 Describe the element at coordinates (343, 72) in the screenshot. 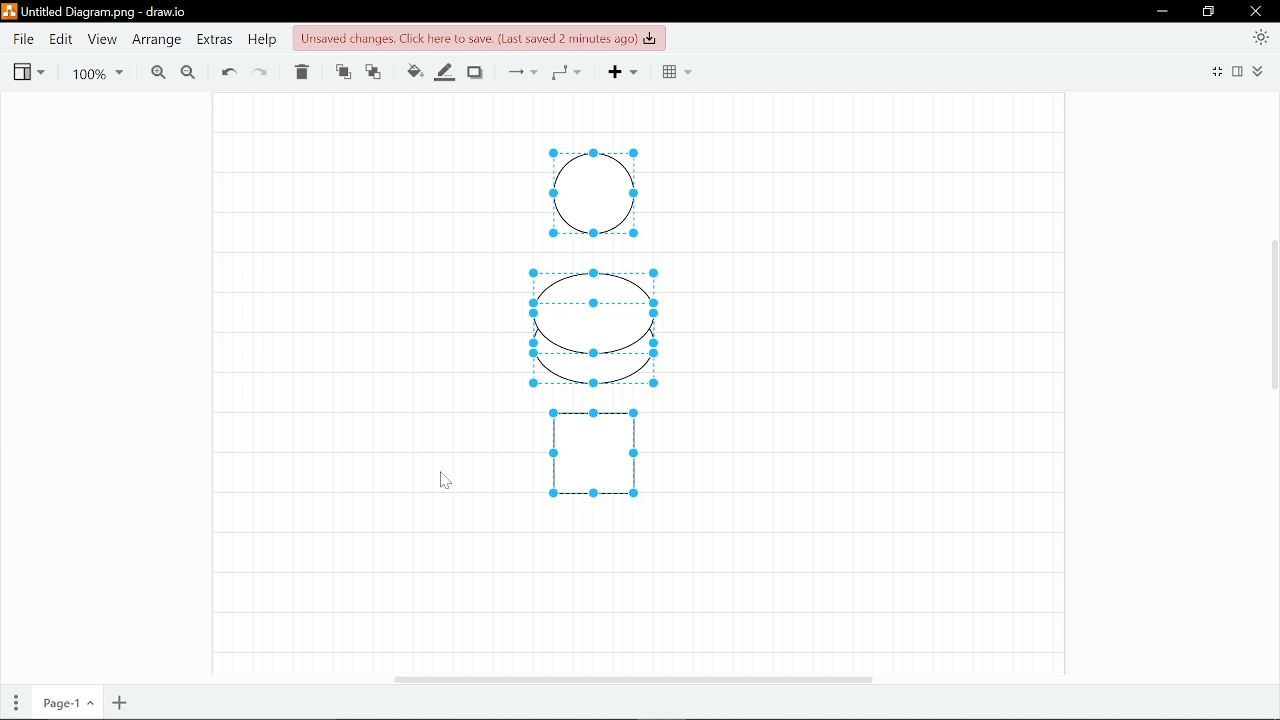

I see `Move front` at that location.